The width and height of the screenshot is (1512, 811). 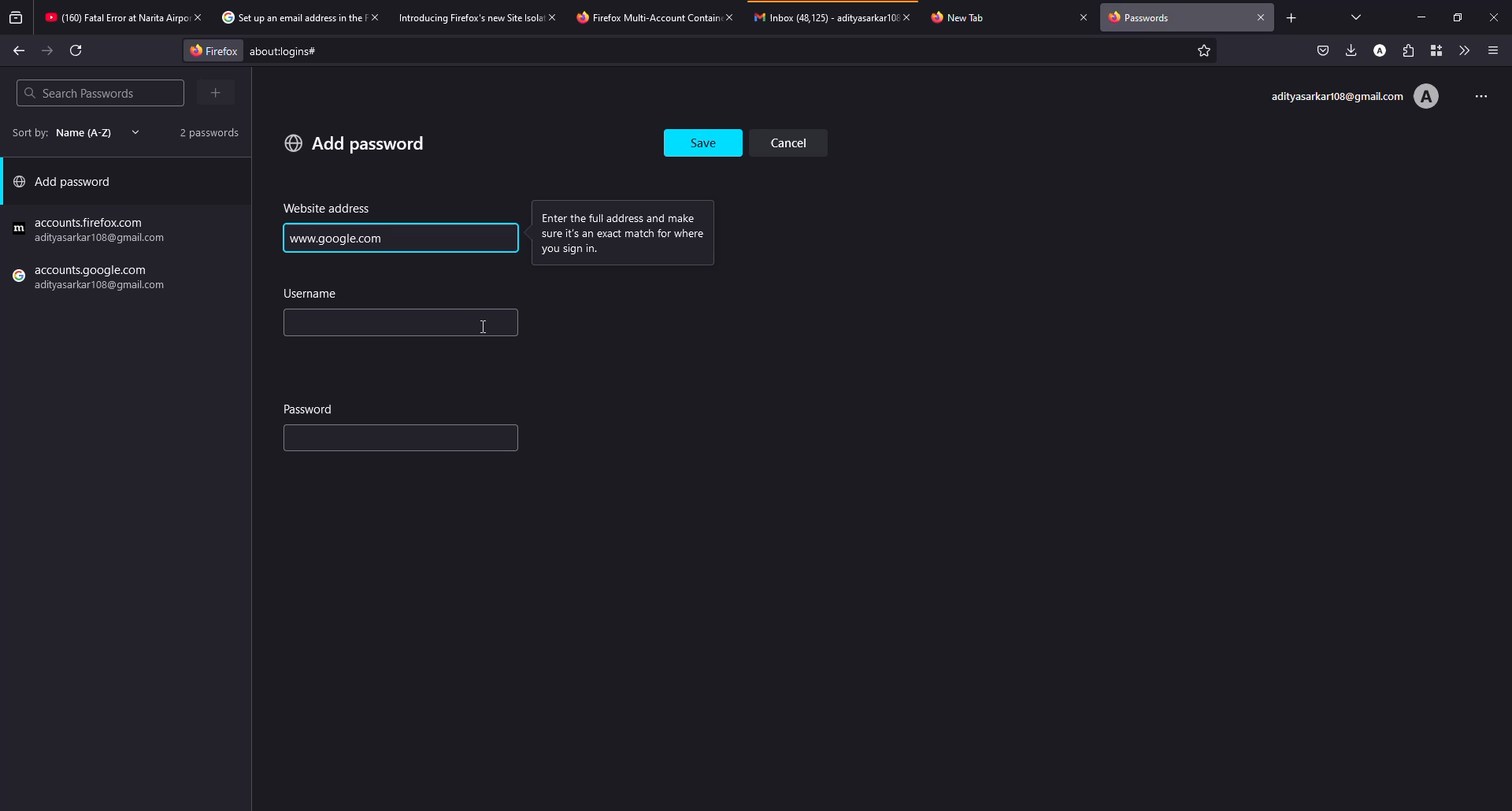 I want to click on close, so click(x=1494, y=17).